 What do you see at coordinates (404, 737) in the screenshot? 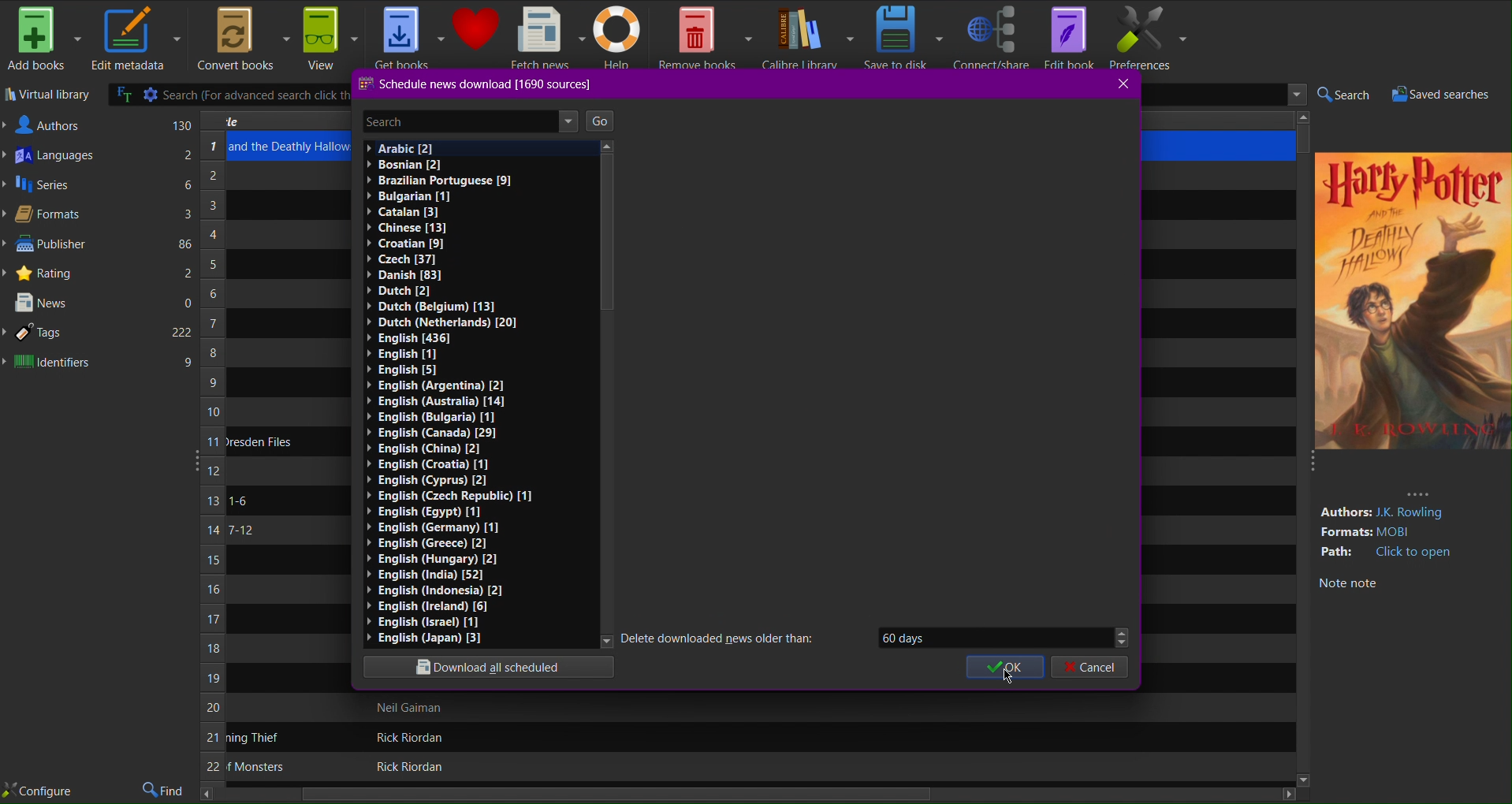
I see `Rick Riordan` at bounding box center [404, 737].